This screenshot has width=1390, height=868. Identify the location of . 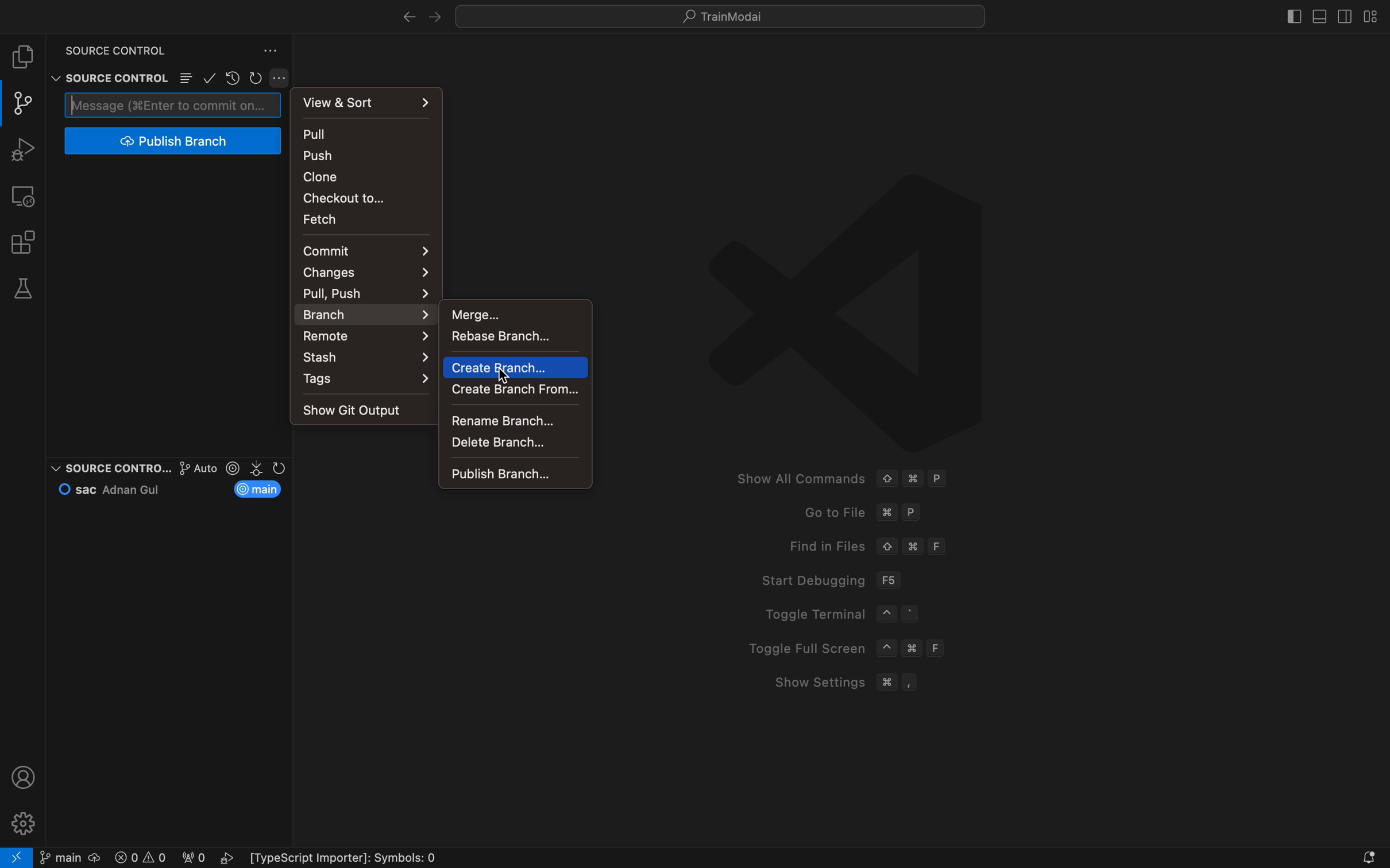
(368, 314).